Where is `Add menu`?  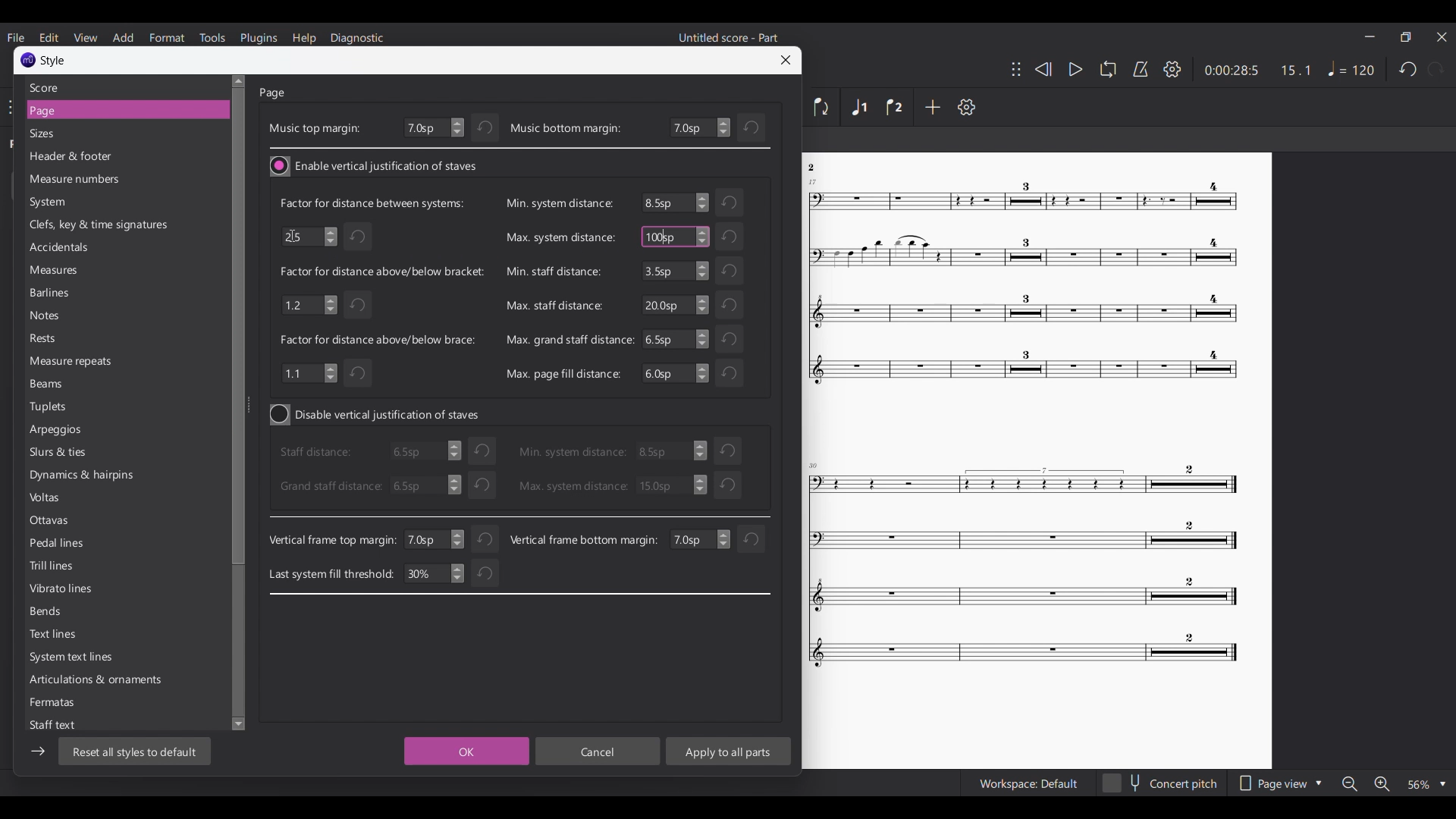
Add menu is located at coordinates (123, 37).